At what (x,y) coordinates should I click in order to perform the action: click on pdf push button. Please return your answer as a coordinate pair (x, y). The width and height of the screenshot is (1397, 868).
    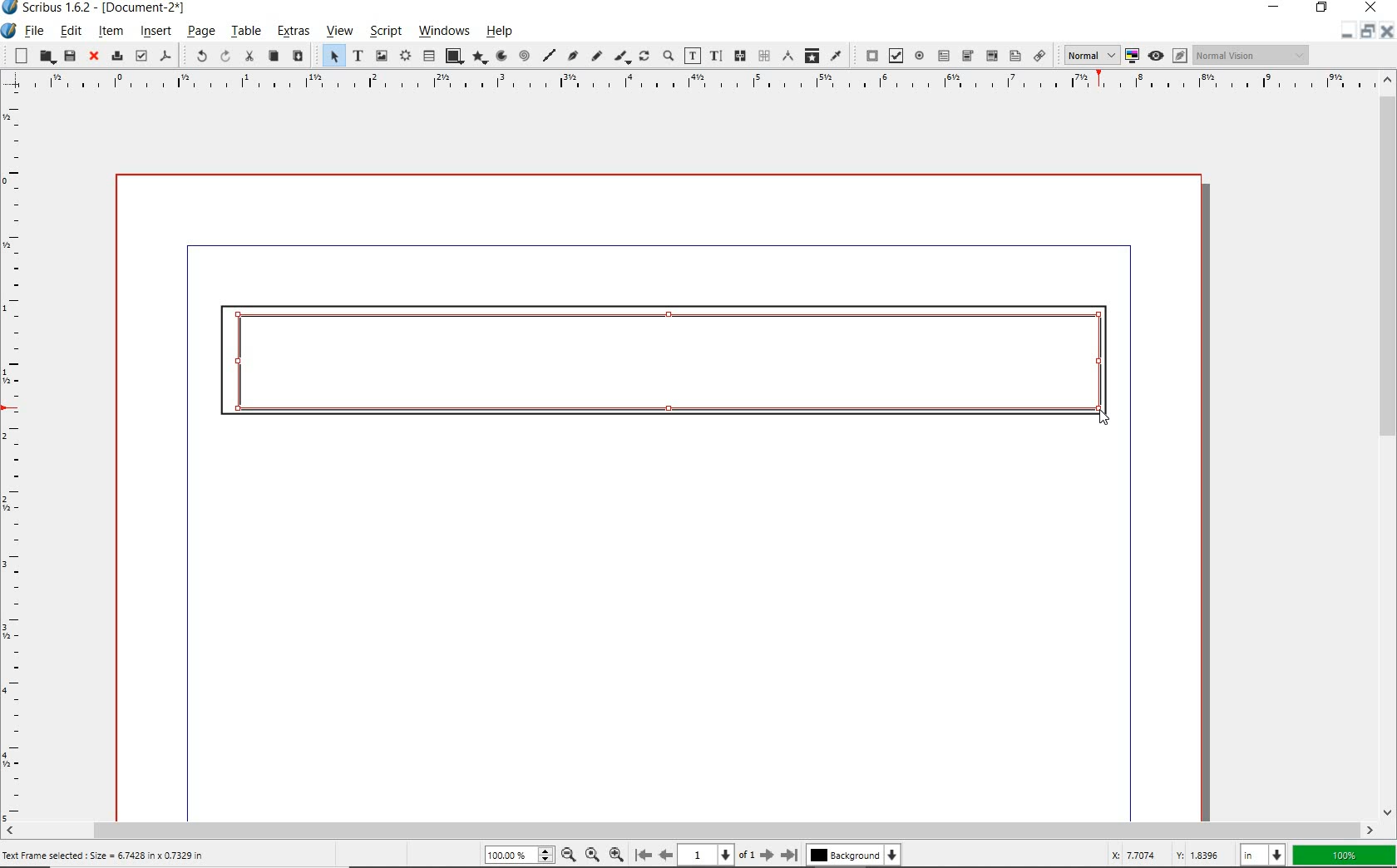
    Looking at the image, I should click on (867, 55).